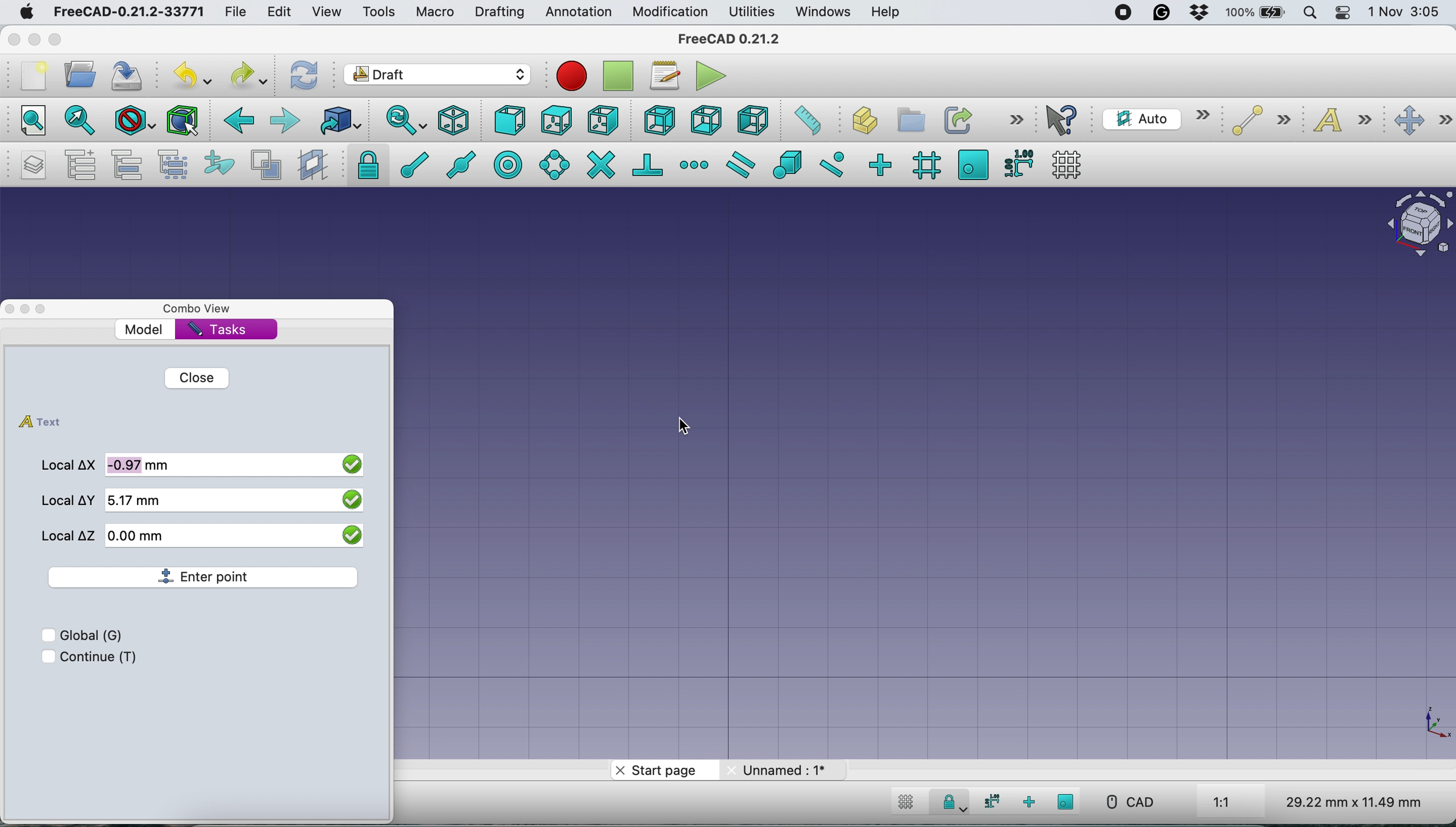 The width and height of the screenshot is (1456, 827). What do you see at coordinates (908, 800) in the screenshot?
I see `toggle grid` at bounding box center [908, 800].